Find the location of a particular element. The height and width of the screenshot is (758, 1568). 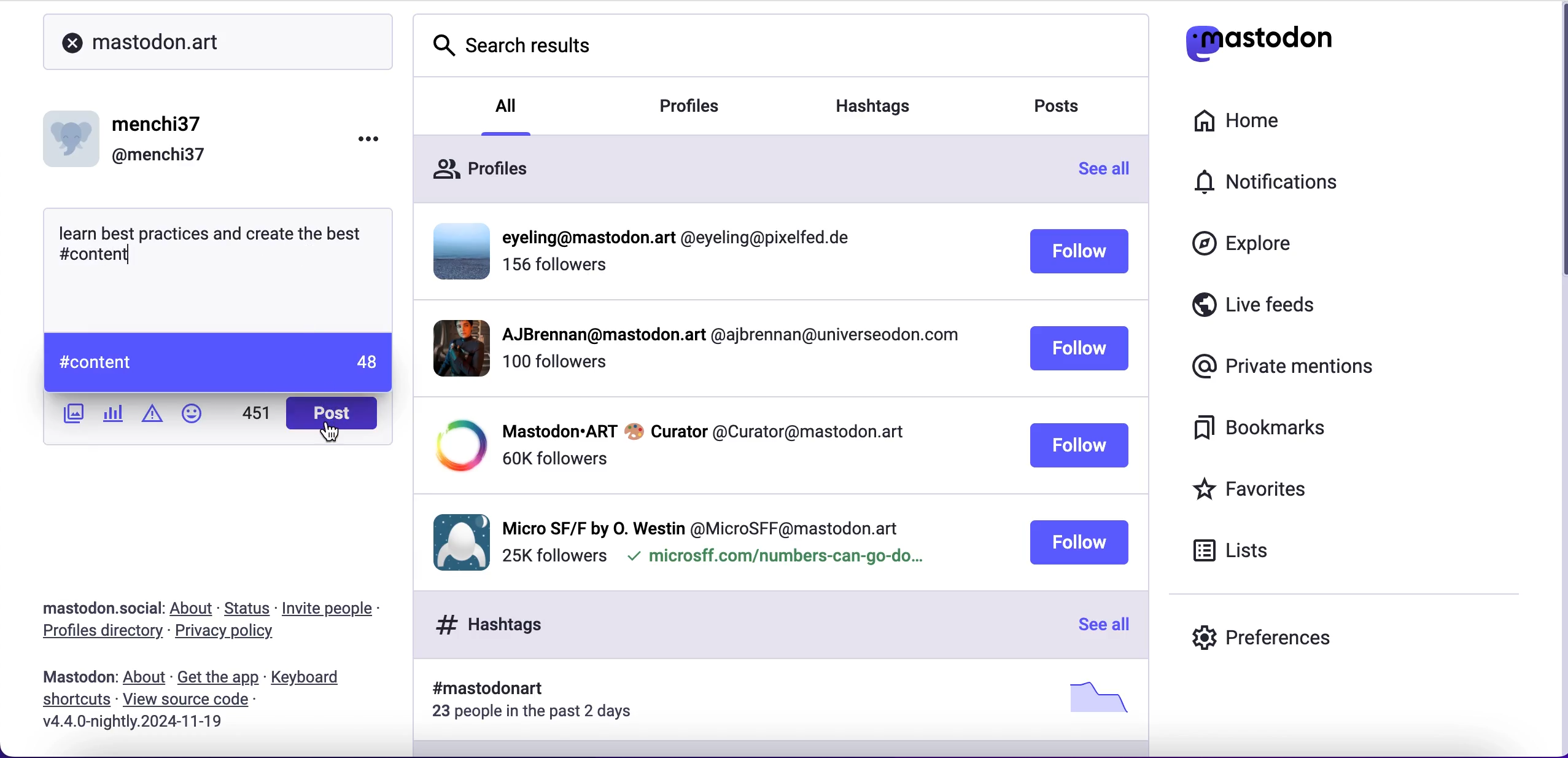

profiles directory is located at coordinates (98, 633).